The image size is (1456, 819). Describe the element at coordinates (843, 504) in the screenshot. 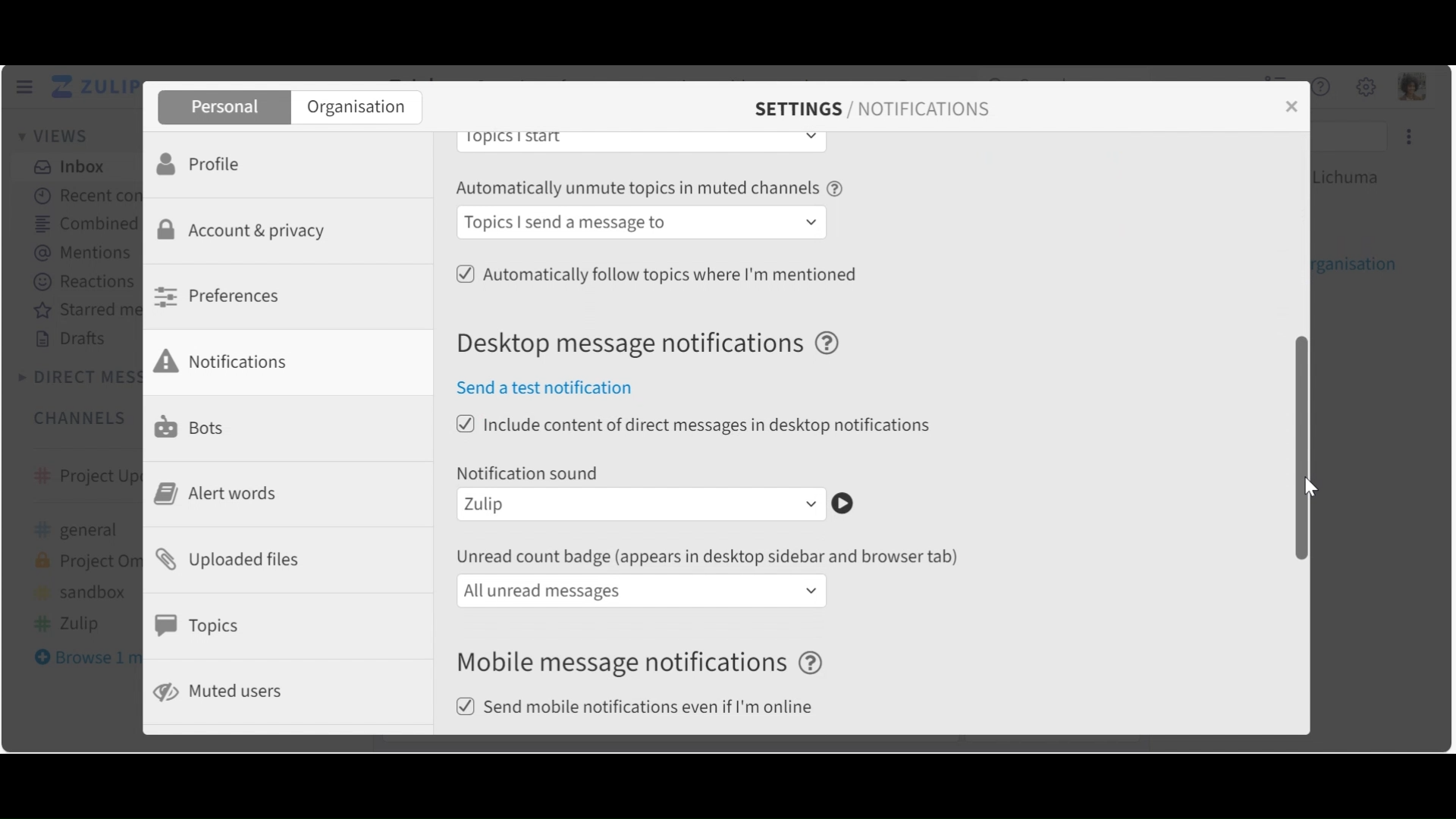

I see `Play notification sound` at that location.